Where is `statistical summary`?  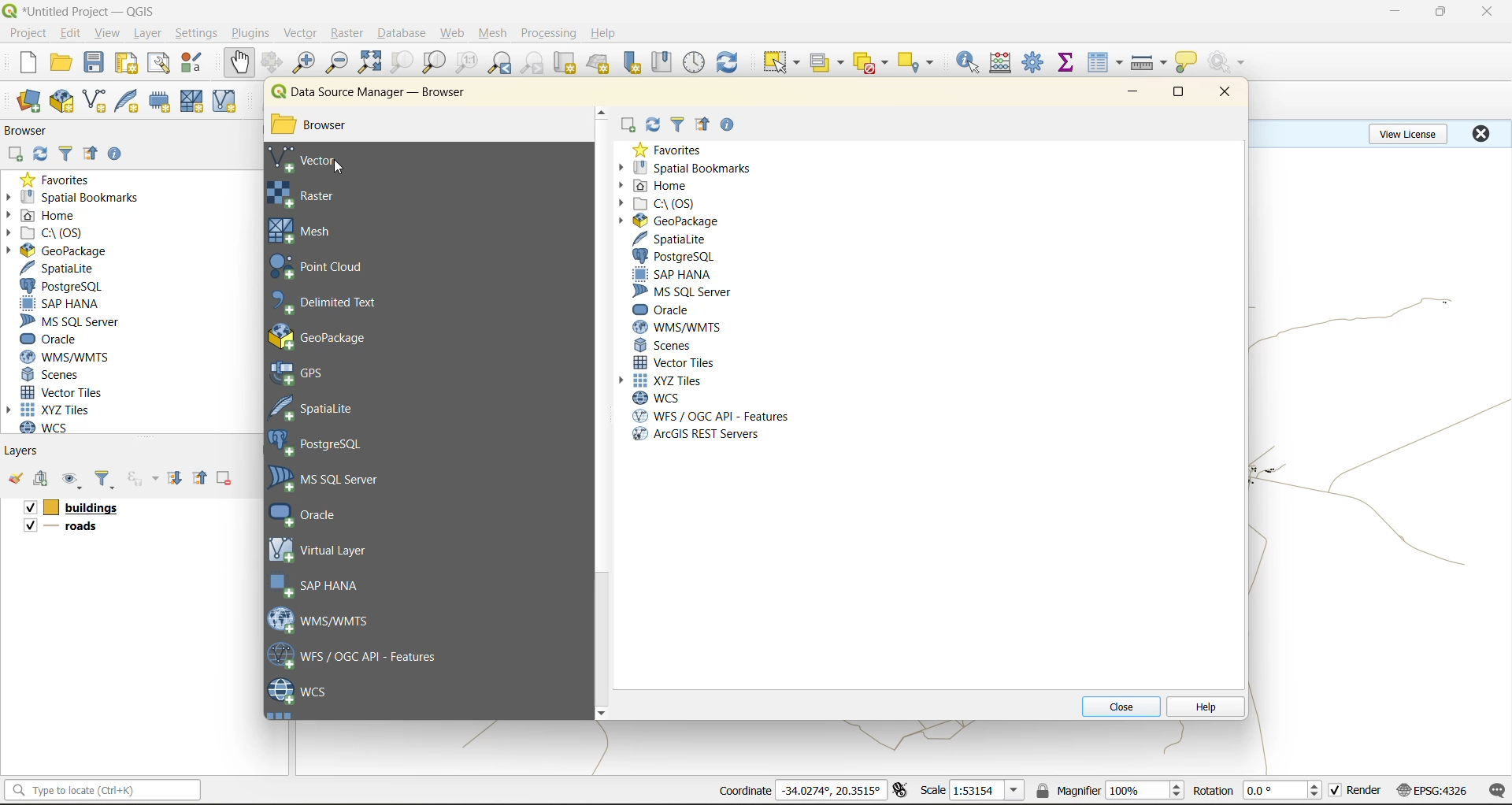
statistical summary is located at coordinates (1069, 63).